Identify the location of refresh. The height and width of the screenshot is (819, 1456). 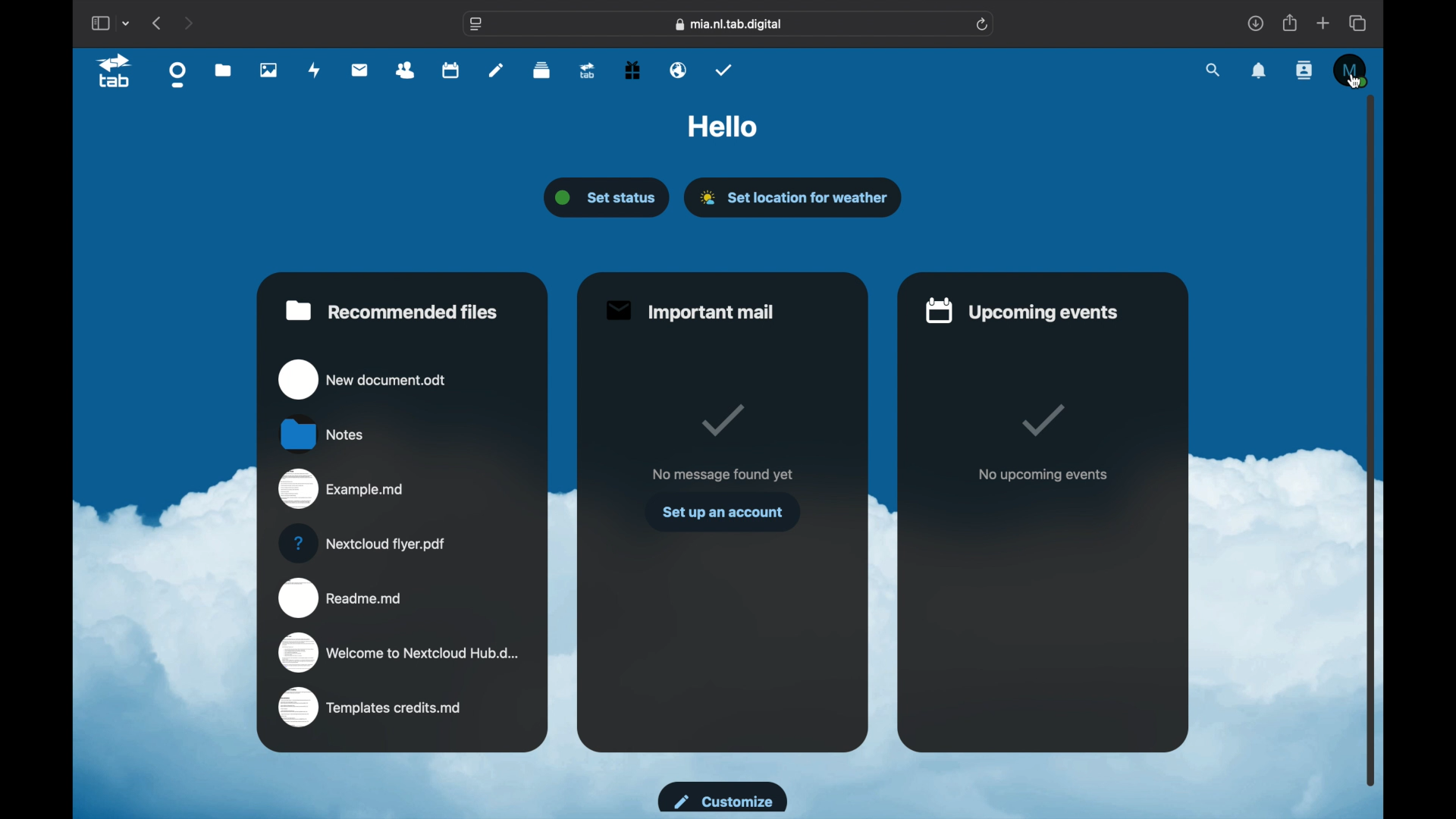
(984, 24).